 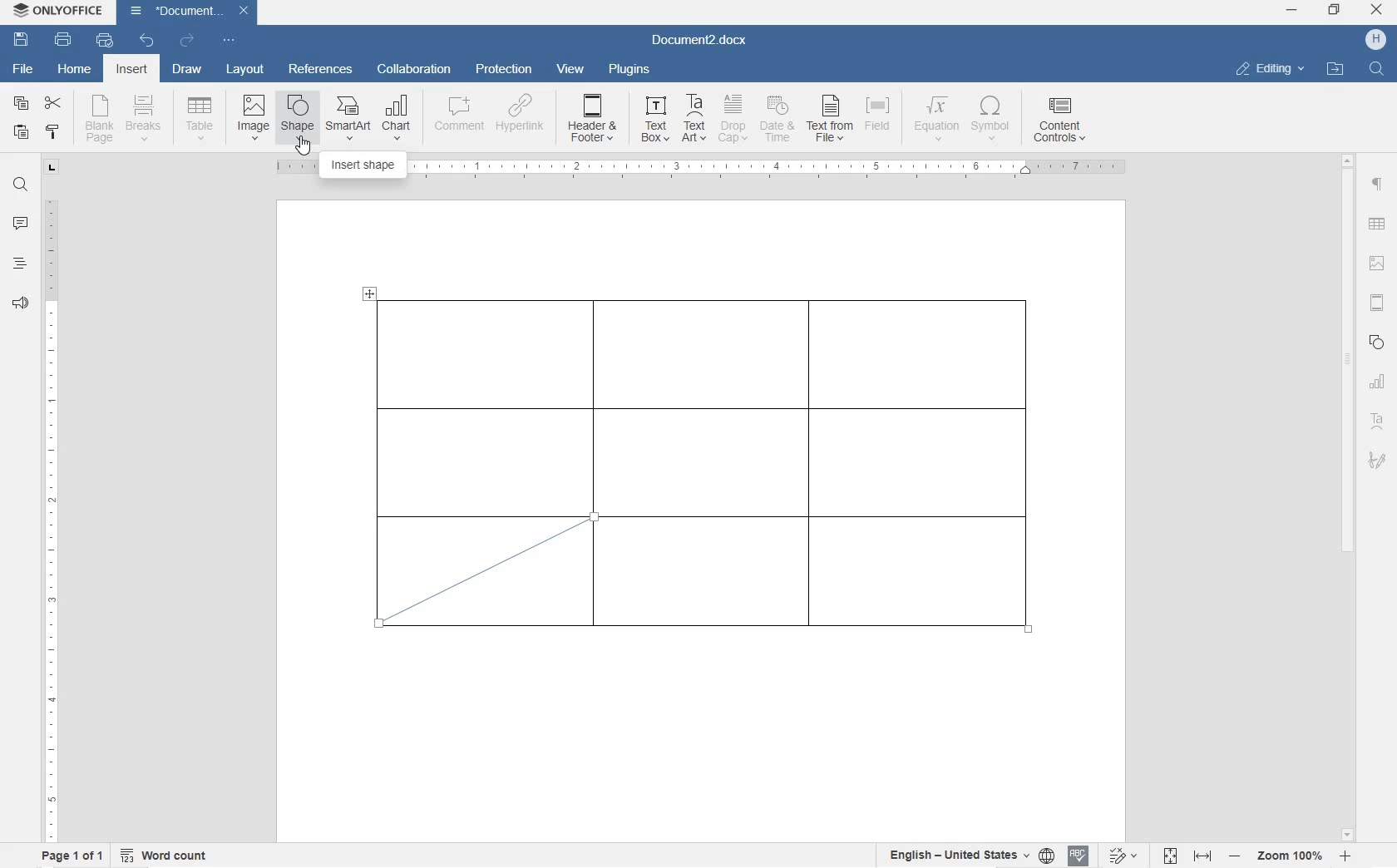 I want to click on find, so click(x=22, y=186).